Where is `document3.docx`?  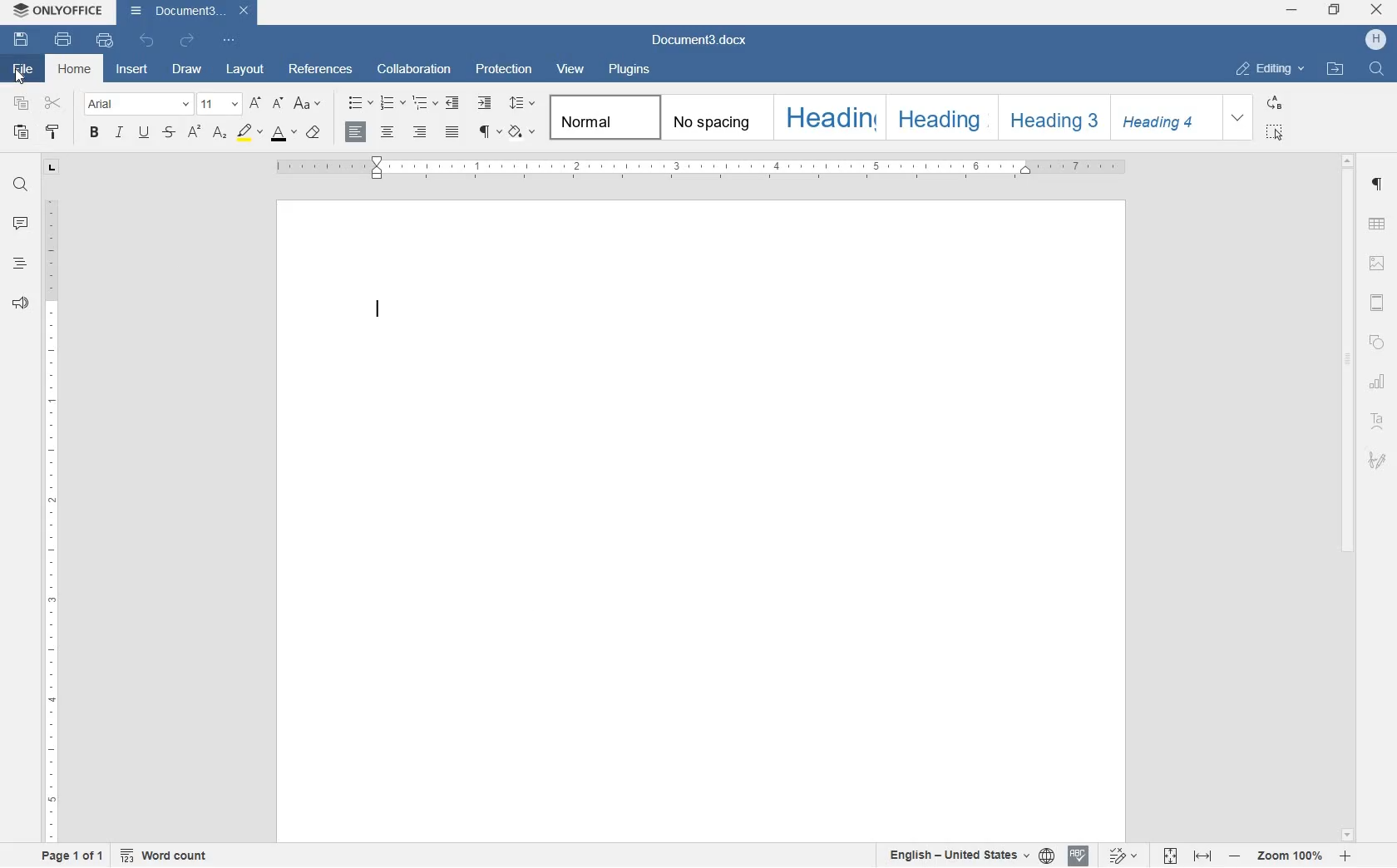
document3.docx is located at coordinates (706, 37).